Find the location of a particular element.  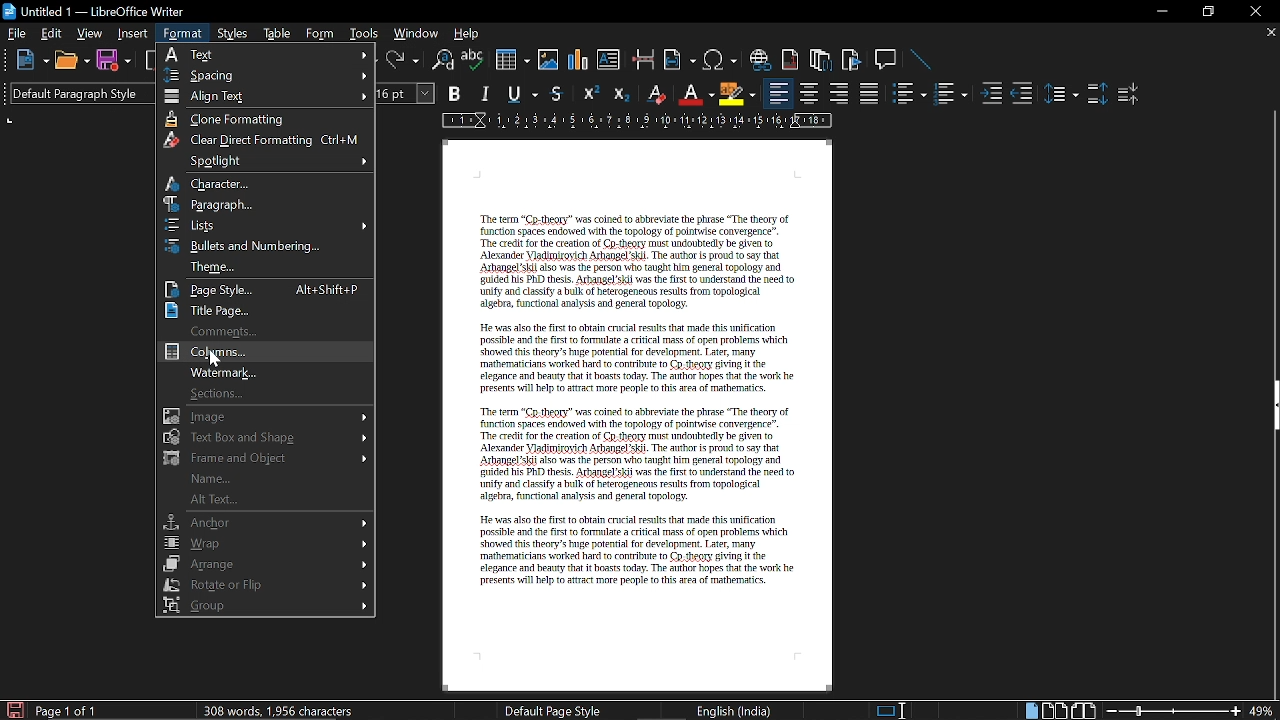

Clone formatting is located at coordinates (266, 119).